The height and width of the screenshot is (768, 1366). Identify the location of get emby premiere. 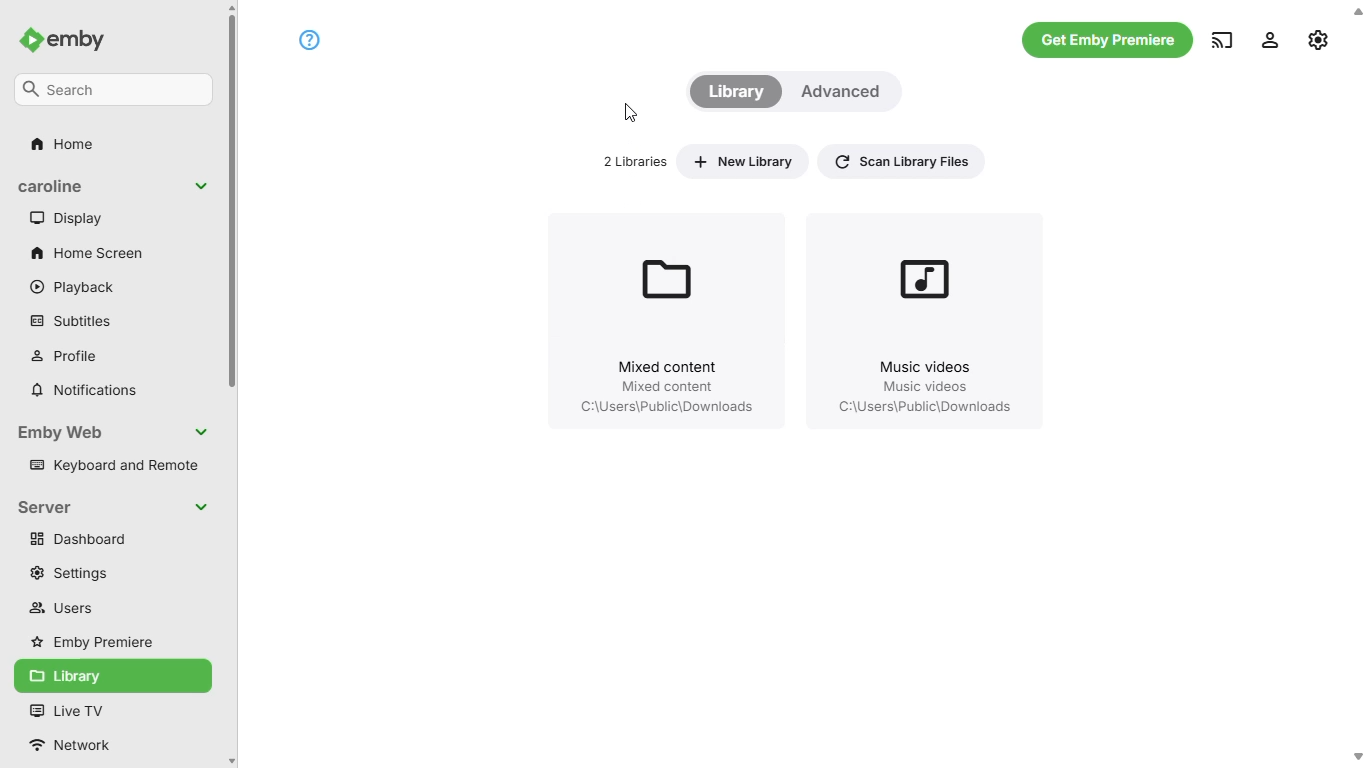
(1108, 40).